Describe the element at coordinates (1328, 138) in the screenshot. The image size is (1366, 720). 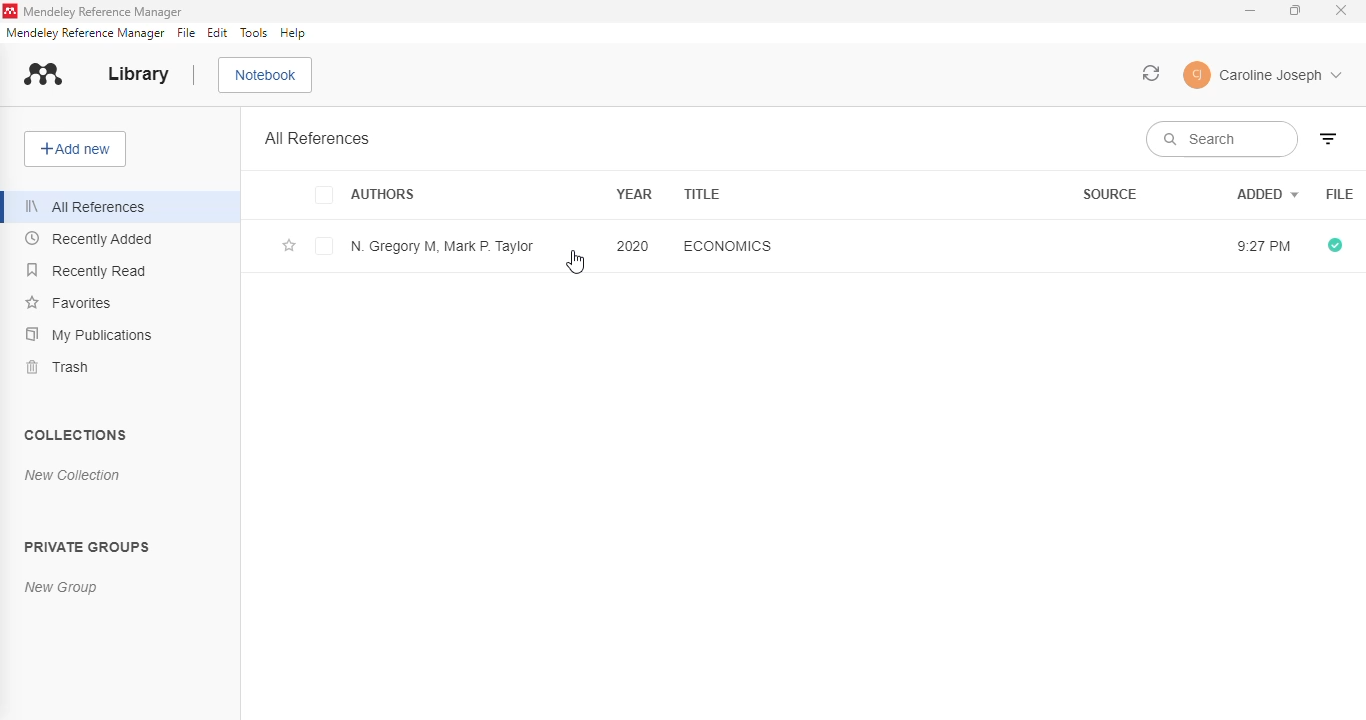
I see `filter by` at that location.